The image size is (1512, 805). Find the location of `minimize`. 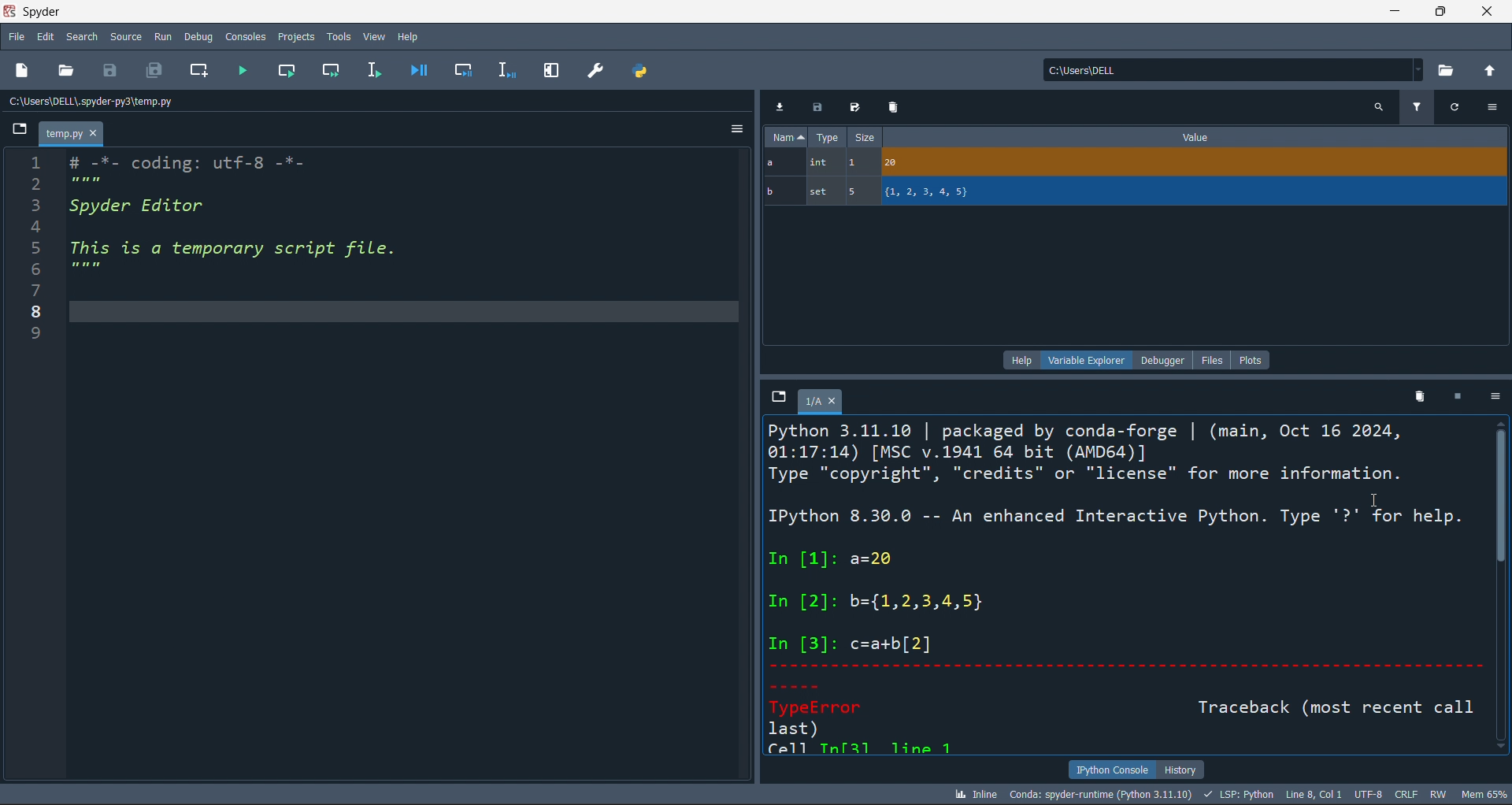

minimize is located at coordinates (1392, 11).